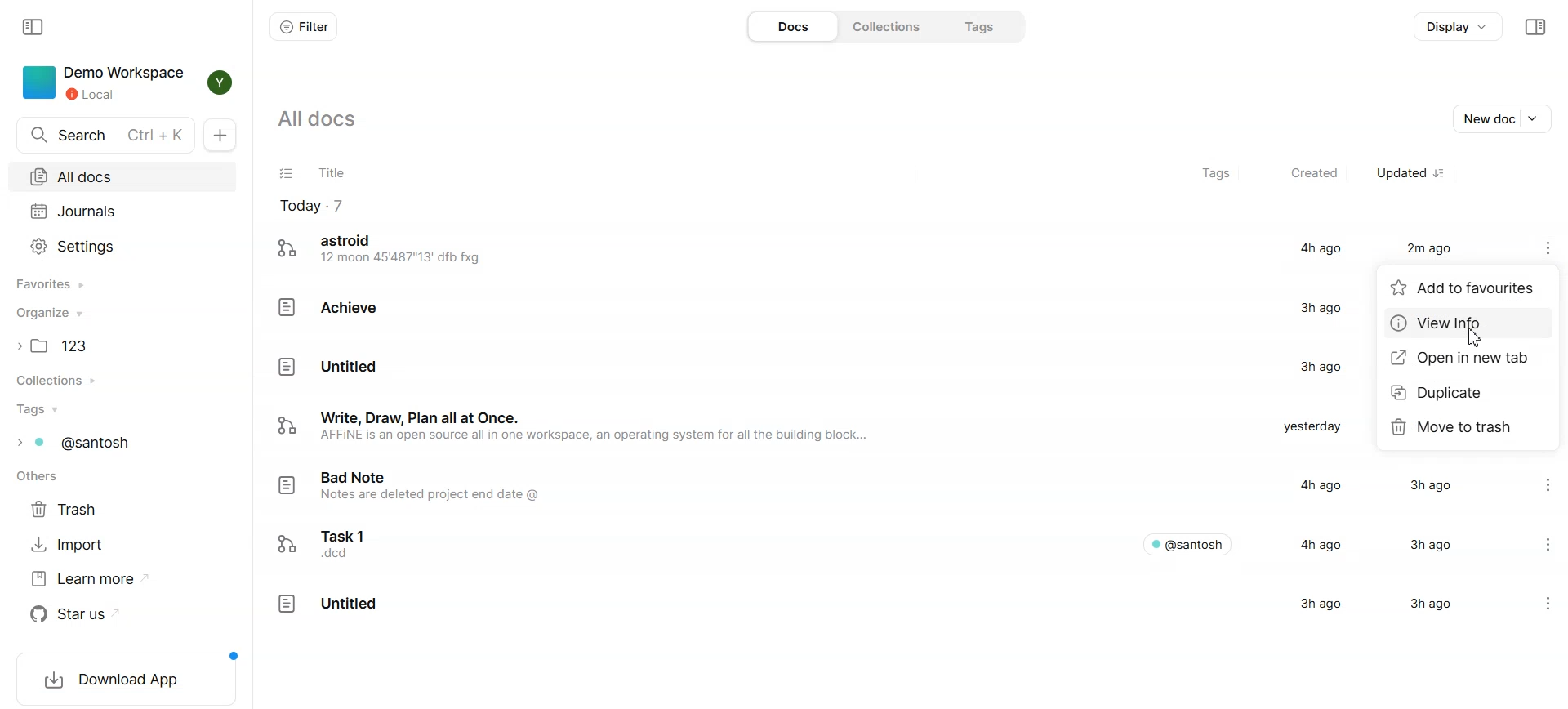 This screenshot has height=709, width=1568. I want to click on Docs, so click(792, 27).